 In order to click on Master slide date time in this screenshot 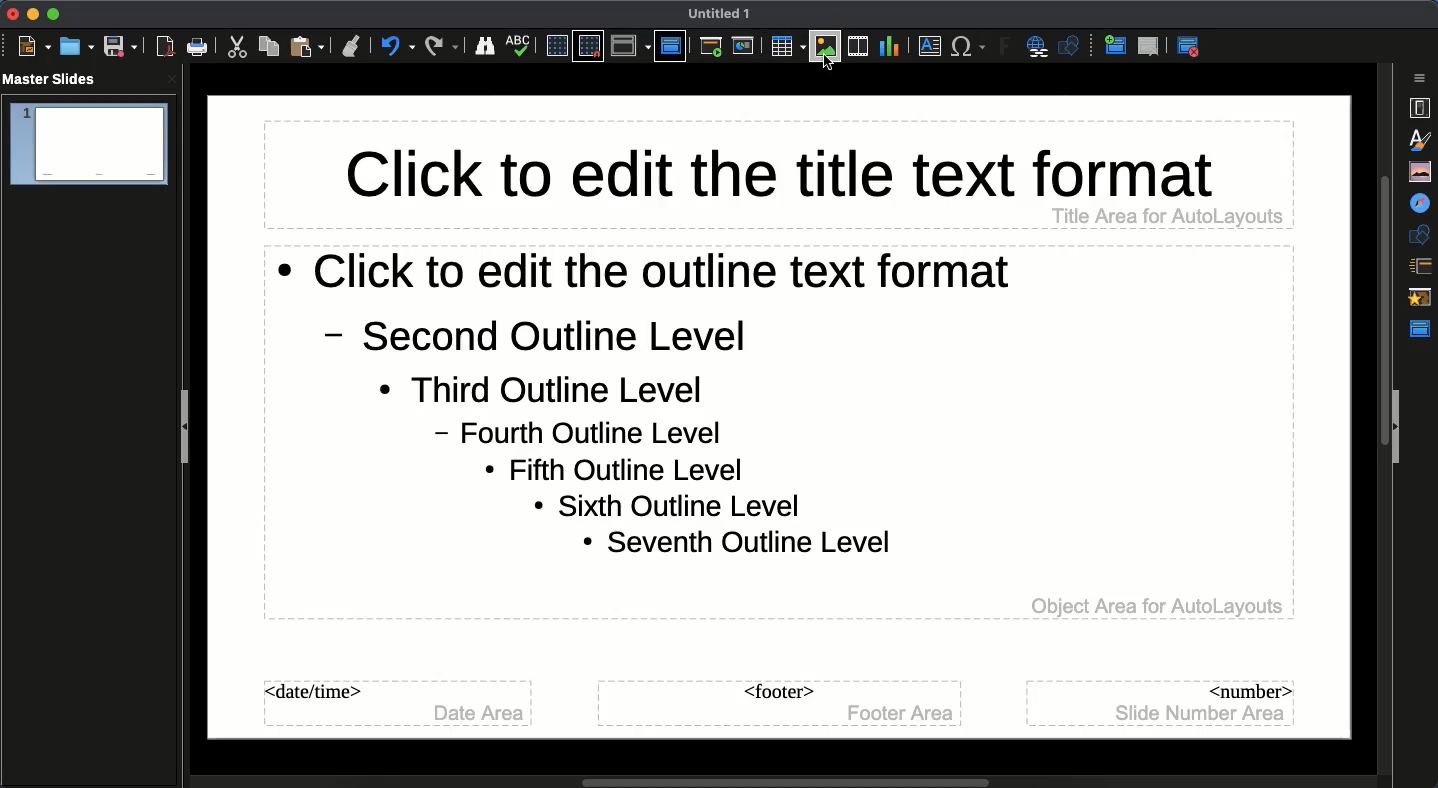, I will do `click(394, 704)`.